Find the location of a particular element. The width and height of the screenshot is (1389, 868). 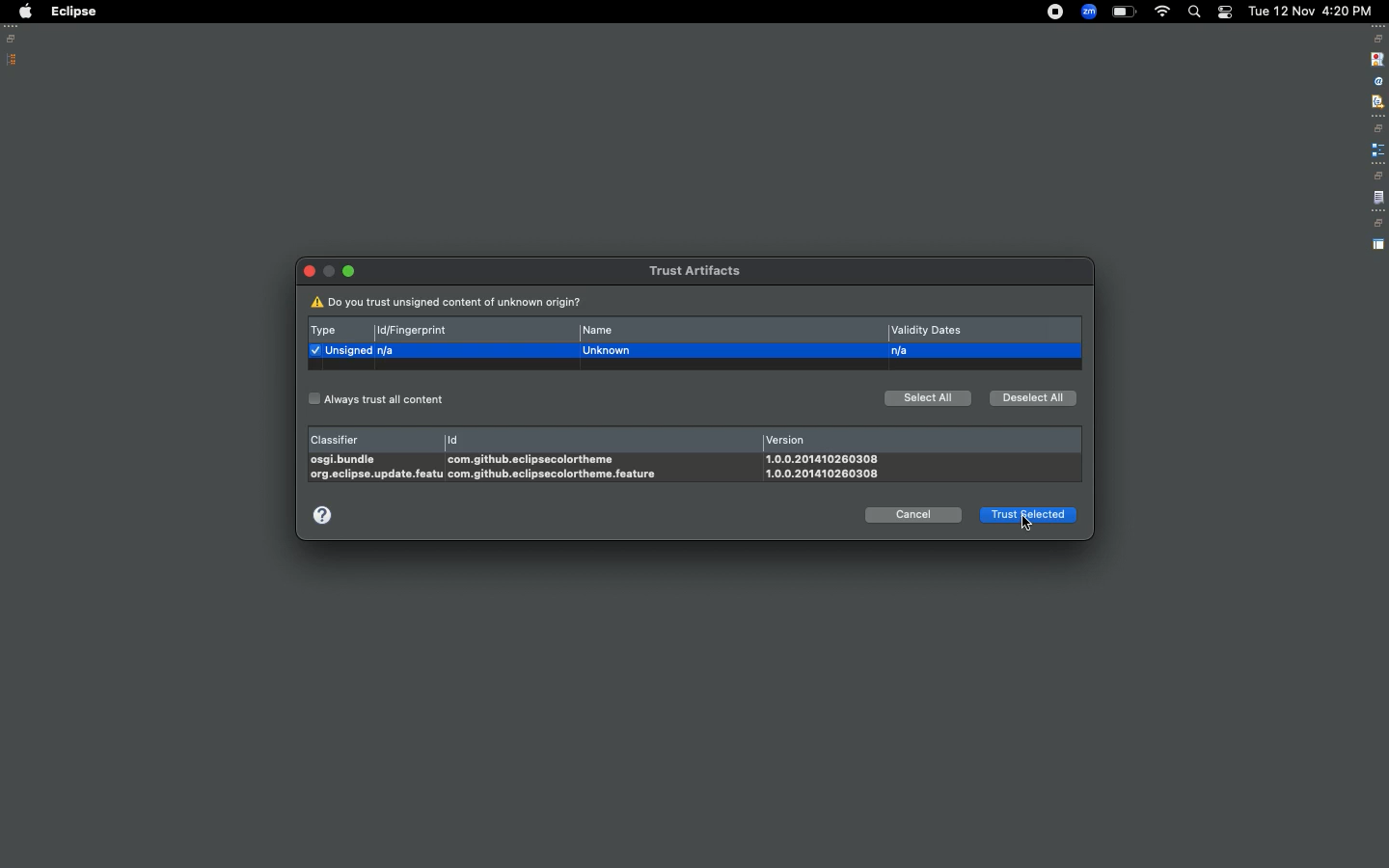

Do you trust unassigned content of unknown origin? is located at coordinates (451, 303).